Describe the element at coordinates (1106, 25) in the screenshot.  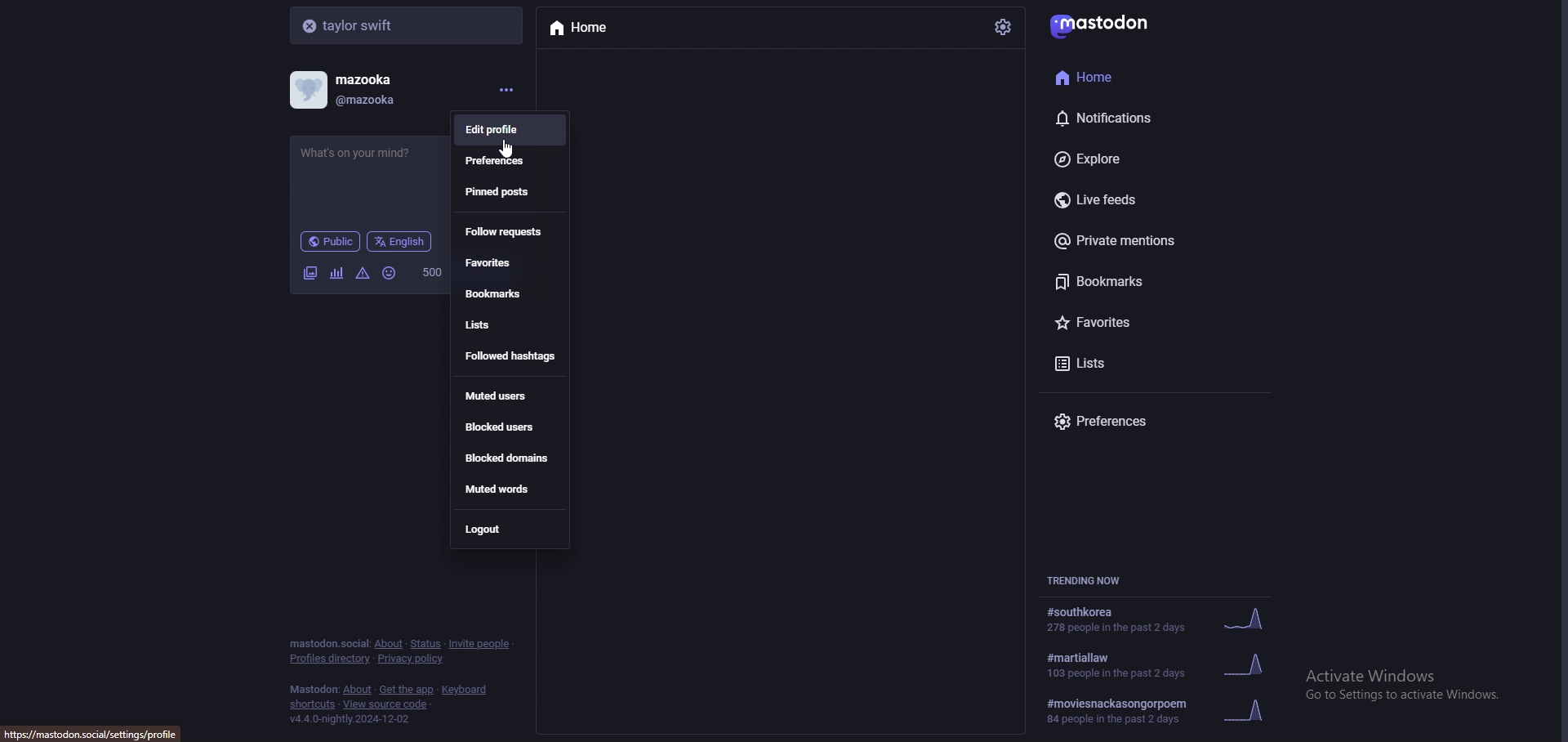
I see `mastodon` at that location.